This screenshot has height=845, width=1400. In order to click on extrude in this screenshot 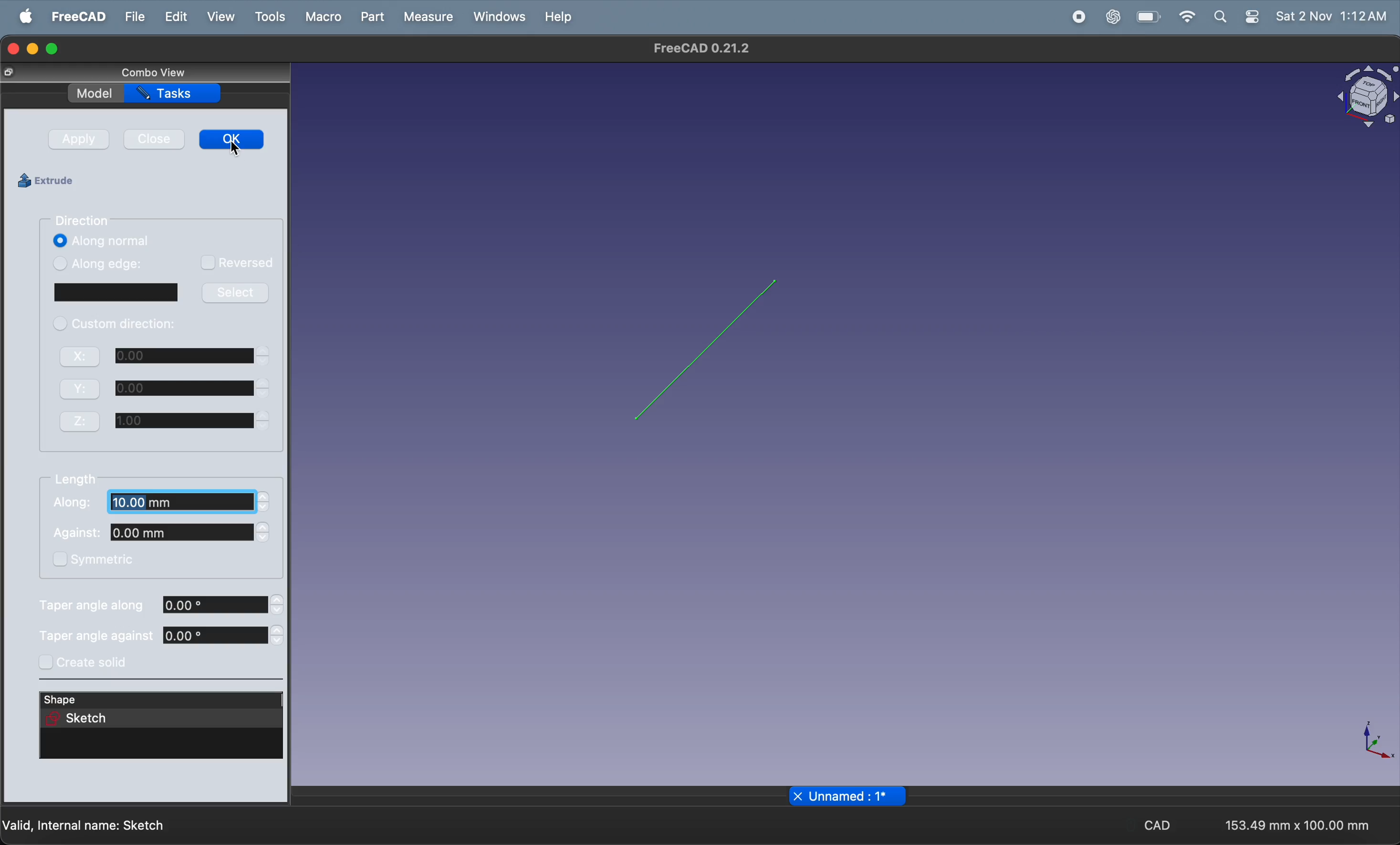, I will do `click(48, 181)`.